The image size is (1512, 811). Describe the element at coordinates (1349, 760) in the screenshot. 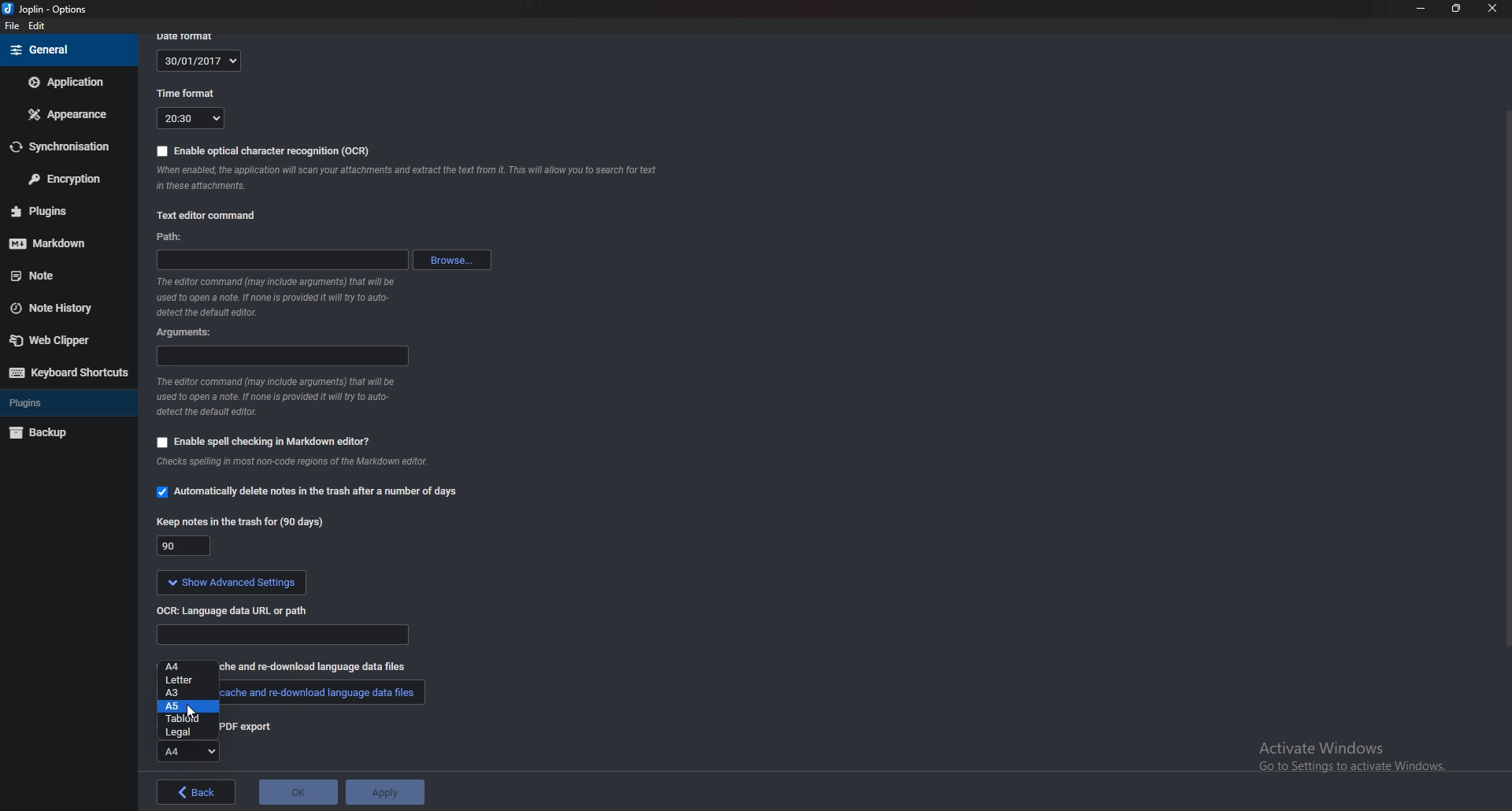

I see `activate windows` at that location.